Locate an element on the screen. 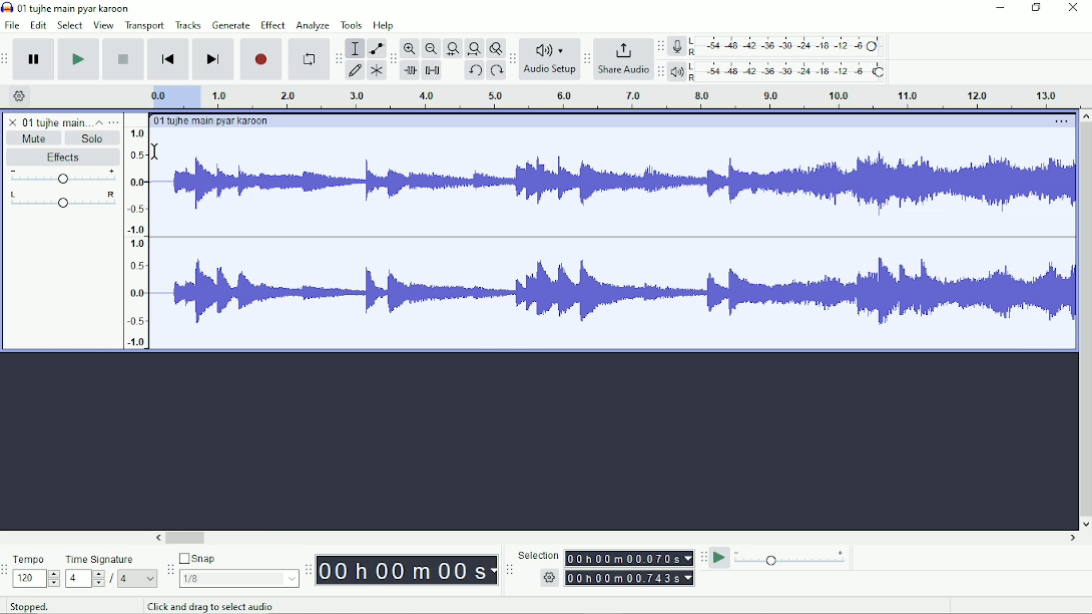 The image size is (1092, 614). Playback speed is located at coordinates (791, 560).